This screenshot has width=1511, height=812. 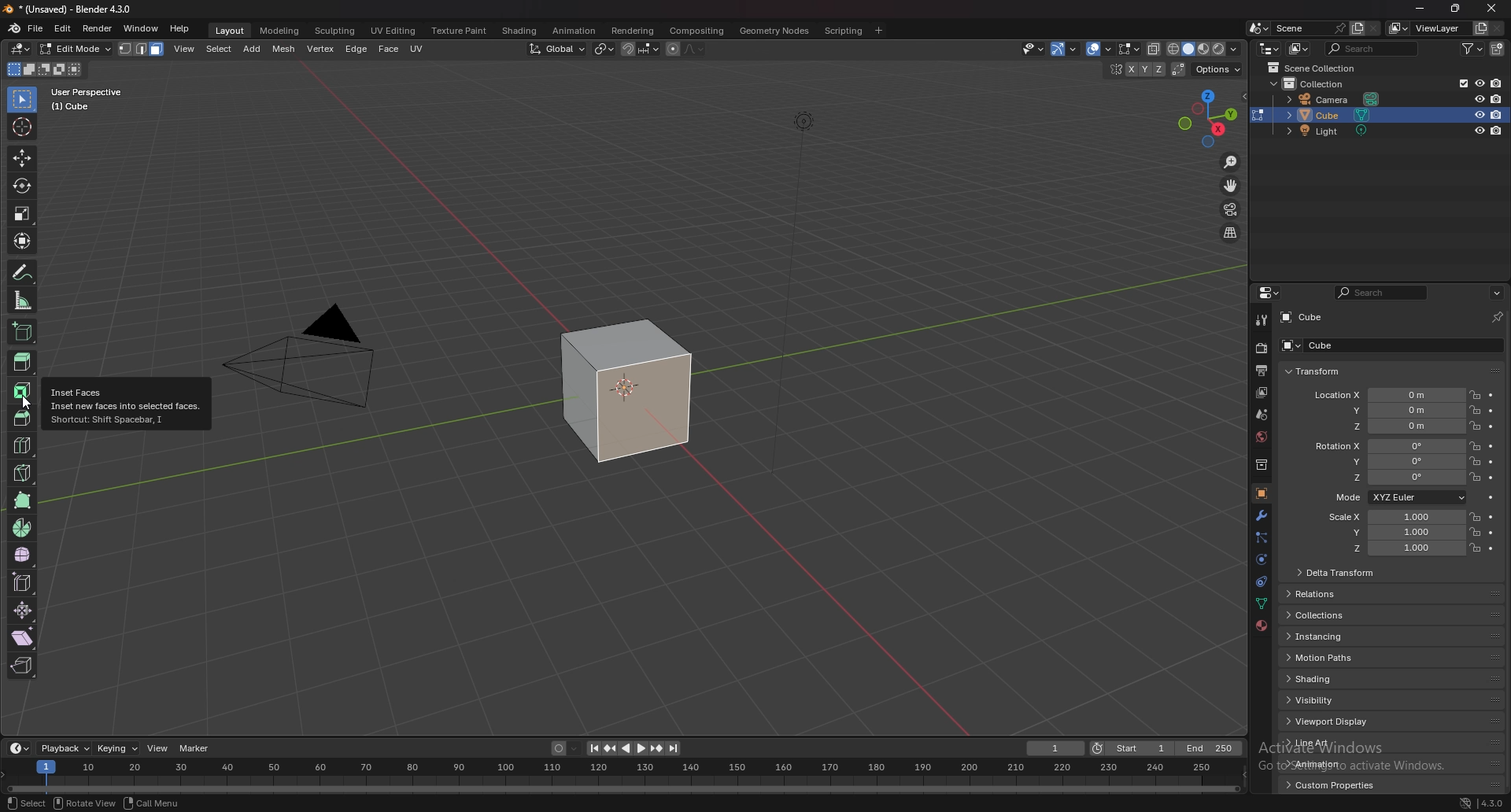 What do you see at coordinates (1394, 478) in the screenshot?
I see `rotation z` at bounding box center [1394, 478].